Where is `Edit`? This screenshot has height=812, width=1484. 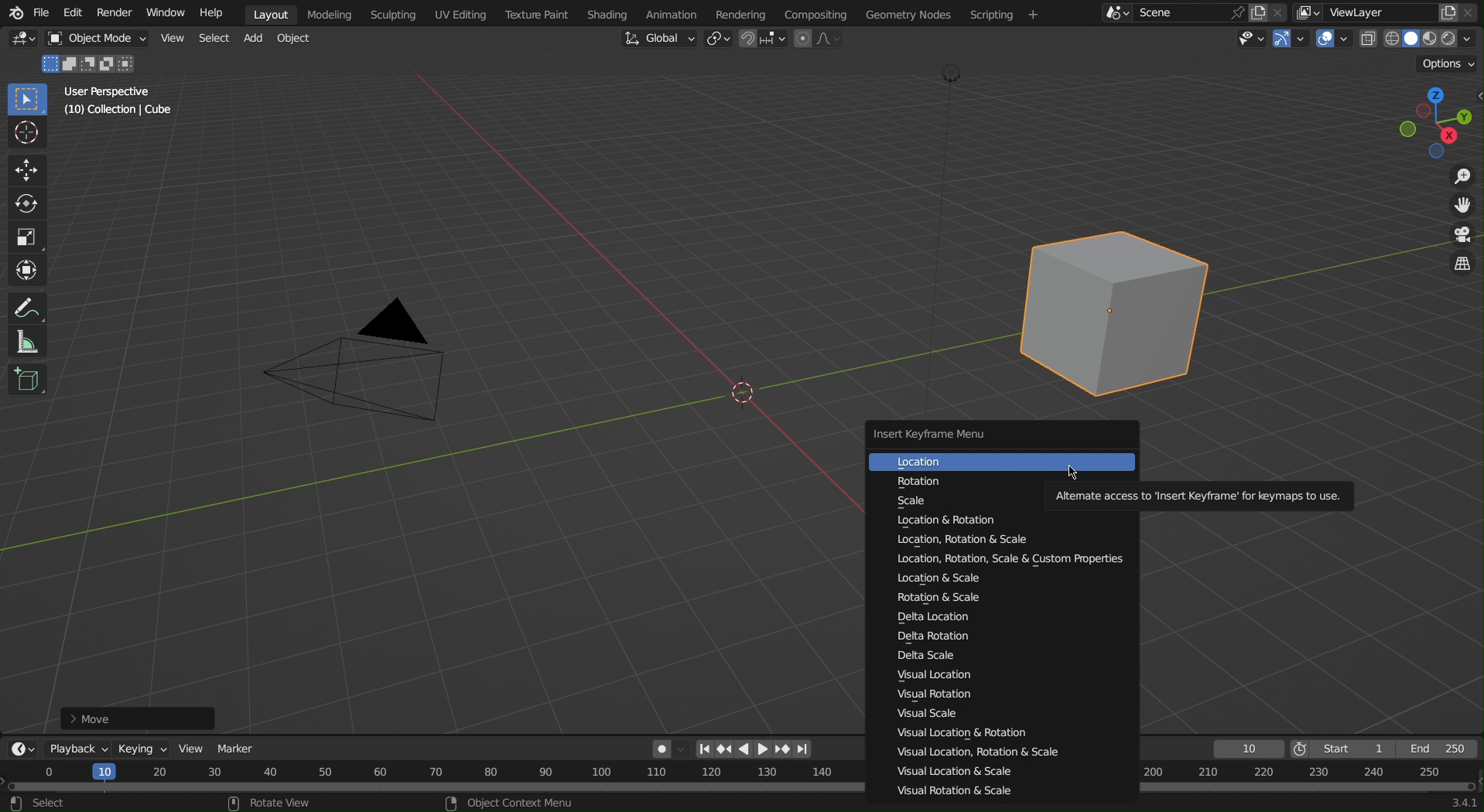
Edit is located at coordinates (70, 12).